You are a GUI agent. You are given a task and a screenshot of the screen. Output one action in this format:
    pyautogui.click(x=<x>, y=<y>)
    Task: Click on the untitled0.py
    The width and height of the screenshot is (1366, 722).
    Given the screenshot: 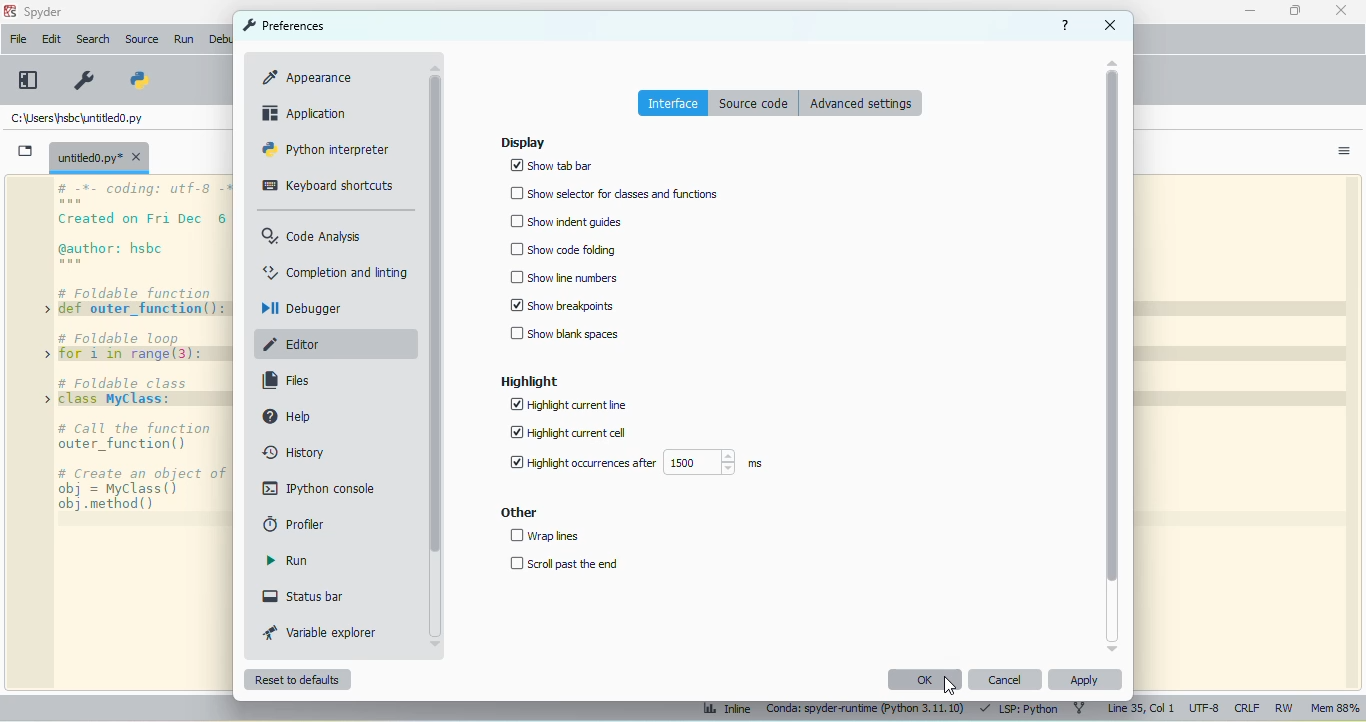 What is the action you would take?
    pyautogui.click(x=74, y=118)
    